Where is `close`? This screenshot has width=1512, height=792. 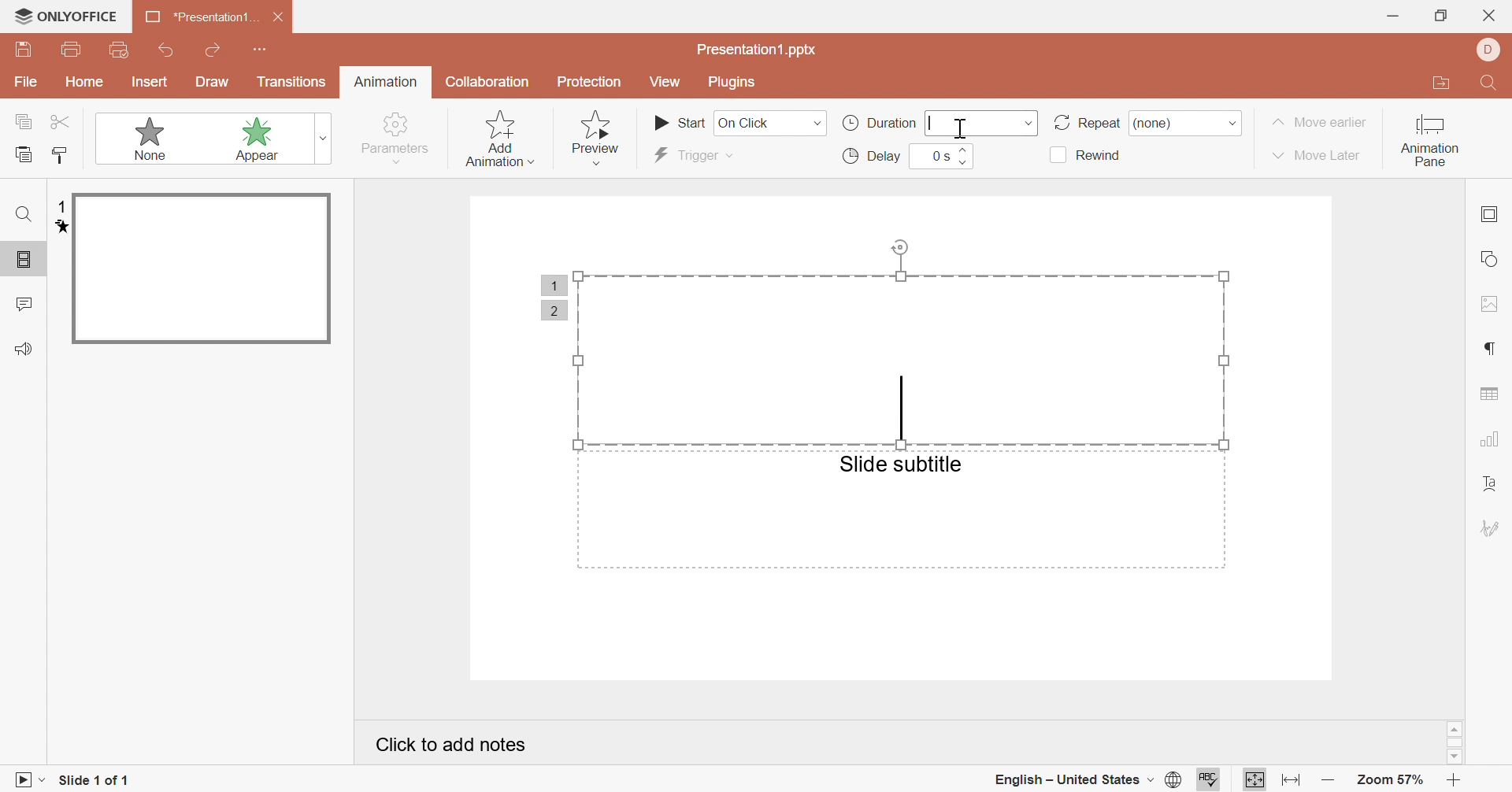 close is located at coordinates (280, 16).